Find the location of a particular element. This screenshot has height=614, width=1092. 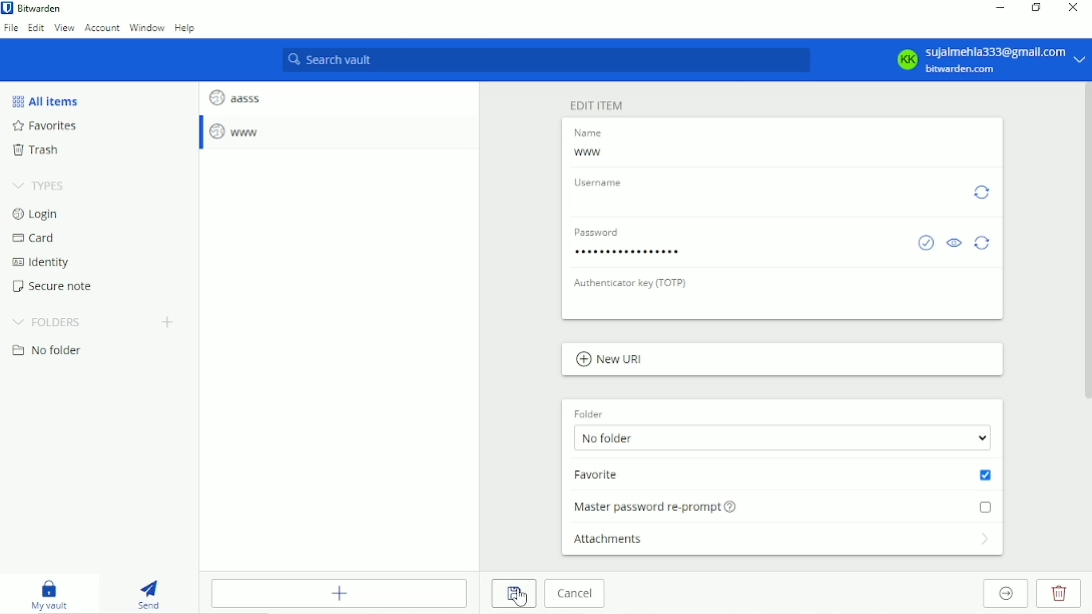

Account is located at coordinates (989, 59).